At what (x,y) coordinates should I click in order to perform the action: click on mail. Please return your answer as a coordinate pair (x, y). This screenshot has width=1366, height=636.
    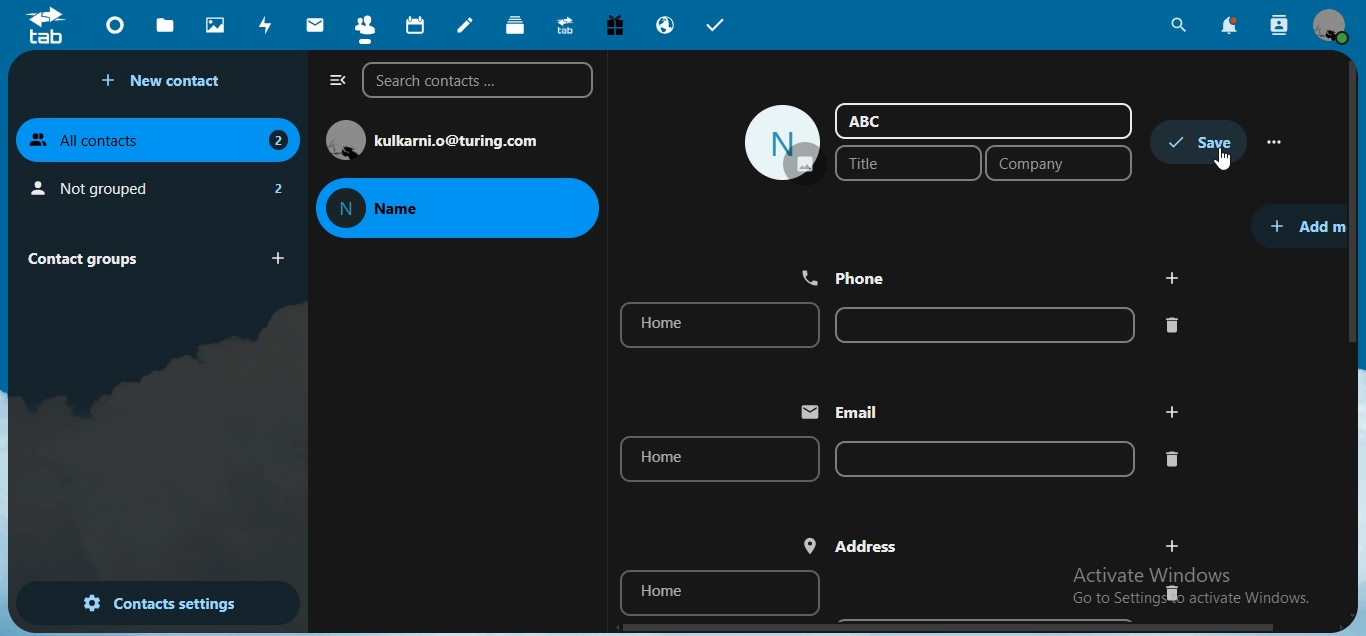
    Looking at the image, I should click on (313, 25).